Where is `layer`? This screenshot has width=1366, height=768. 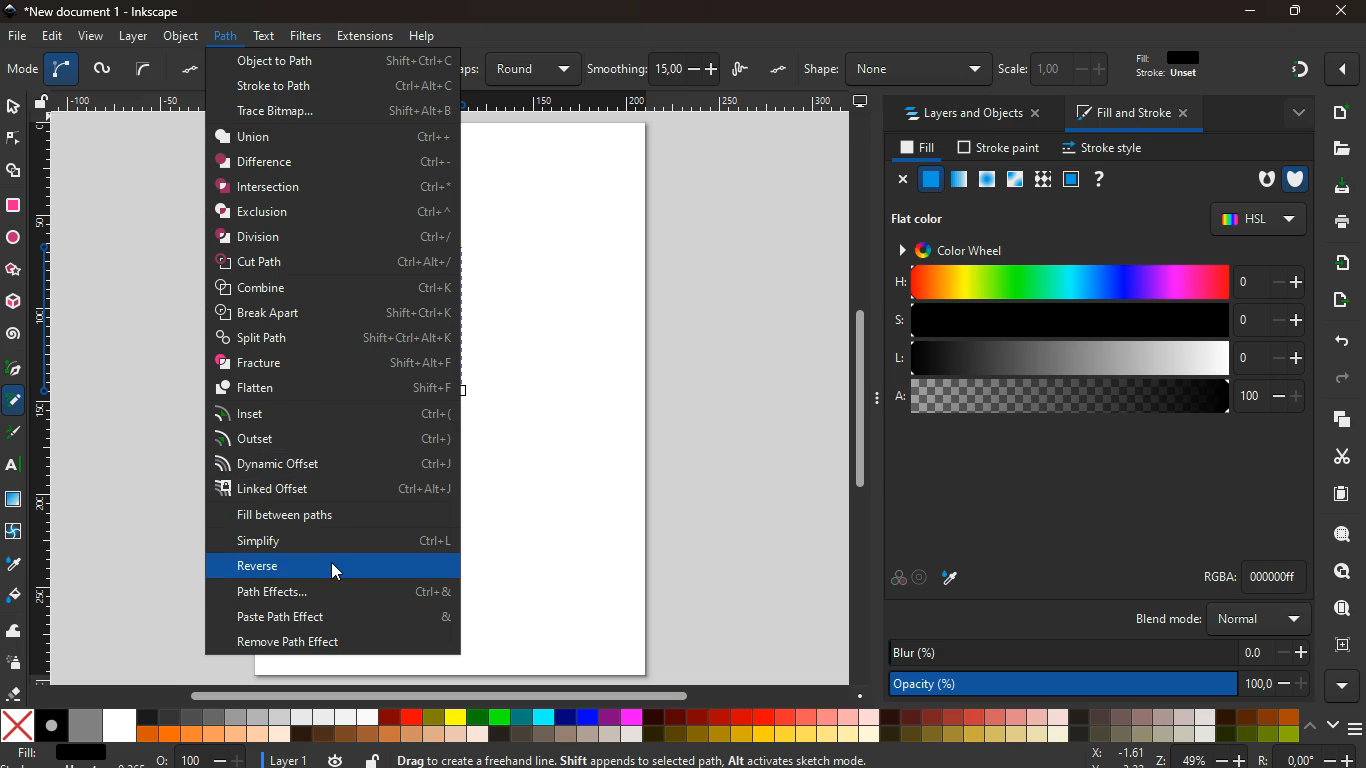 layer is located at coordinates (290, 761).